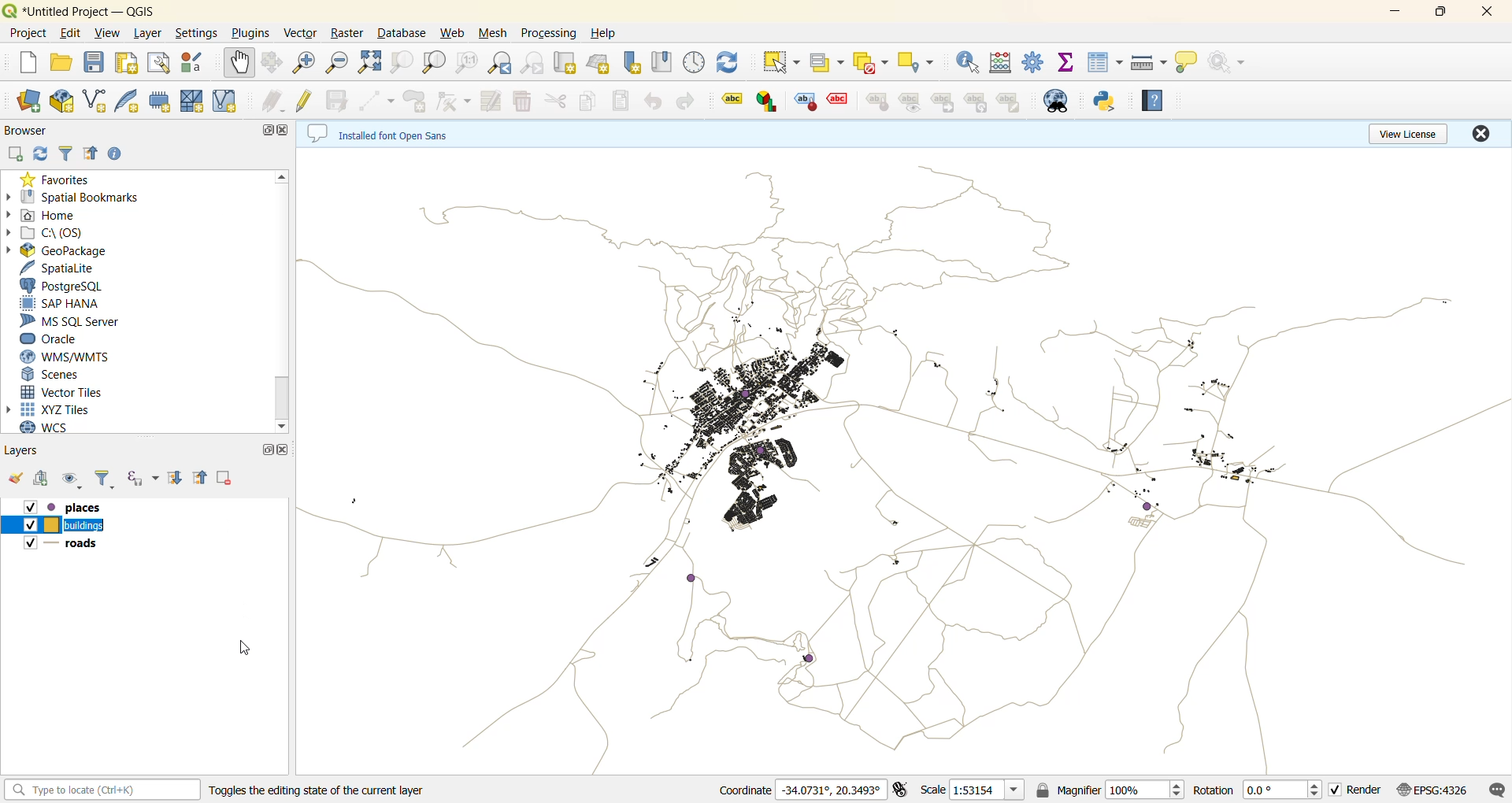 Image resolution: width=1512 pixels, height=803 pixels. I want to click on show layout, so click(158, 65).